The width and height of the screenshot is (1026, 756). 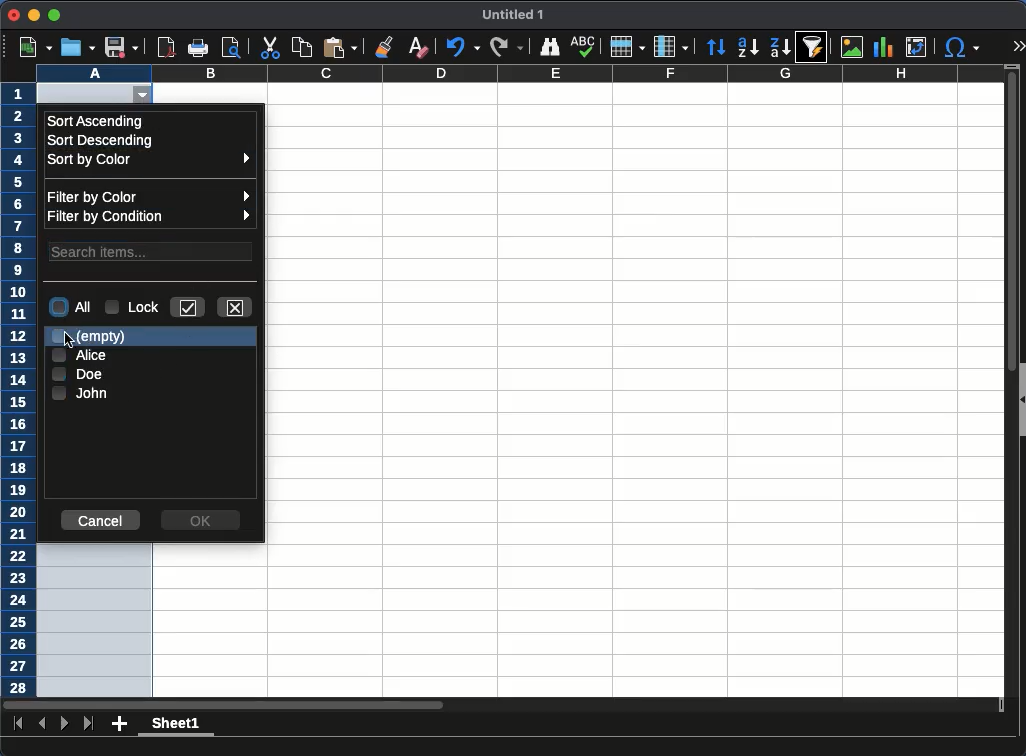 What do you see at coordinates (133, 306) in the screenshot?
I see `lock` at bounding box center [133, 306].